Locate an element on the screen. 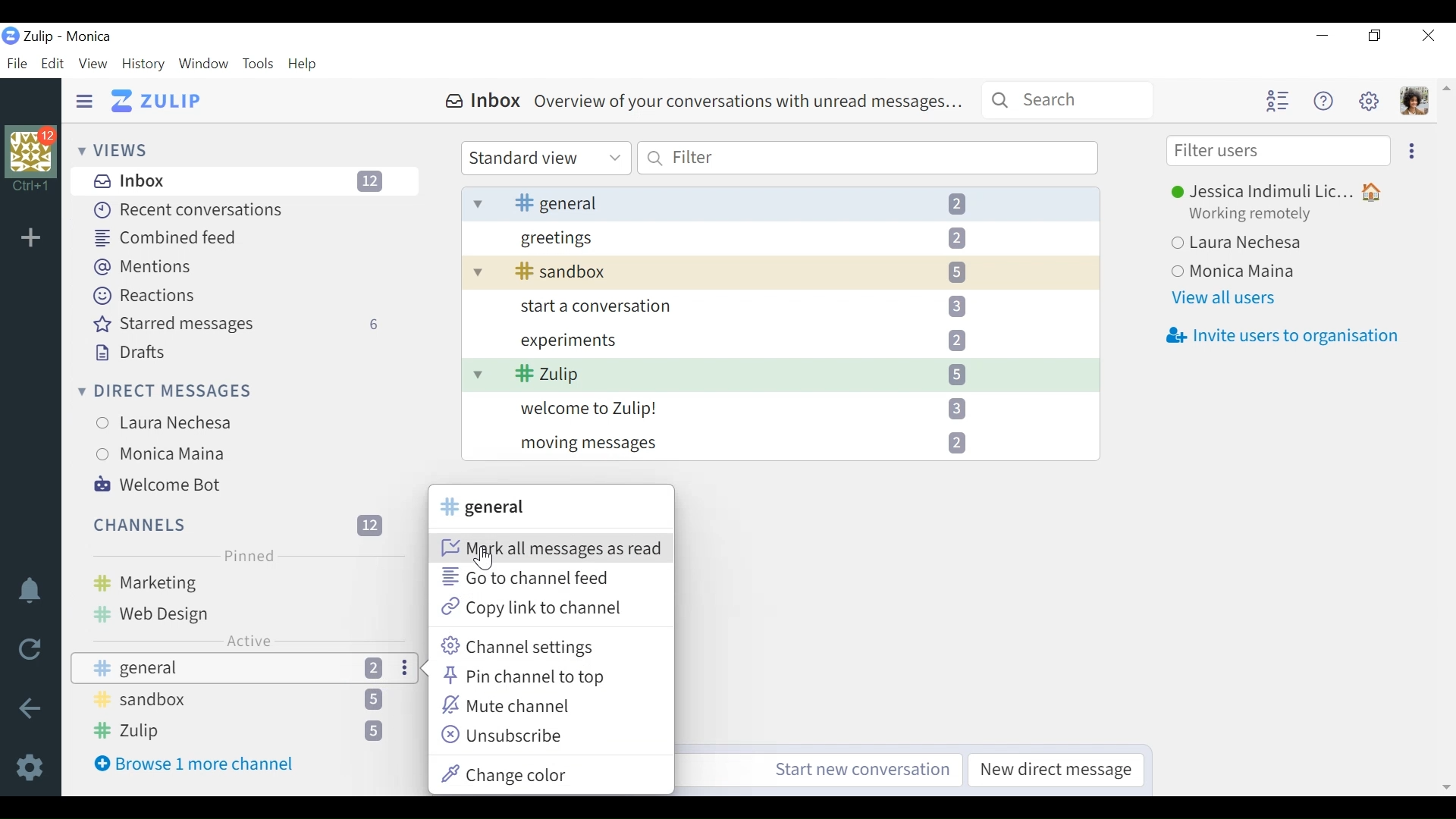 Image resolution: width=1456 pixels, height=819 pixels. Active is located at coordinates (249, 640).